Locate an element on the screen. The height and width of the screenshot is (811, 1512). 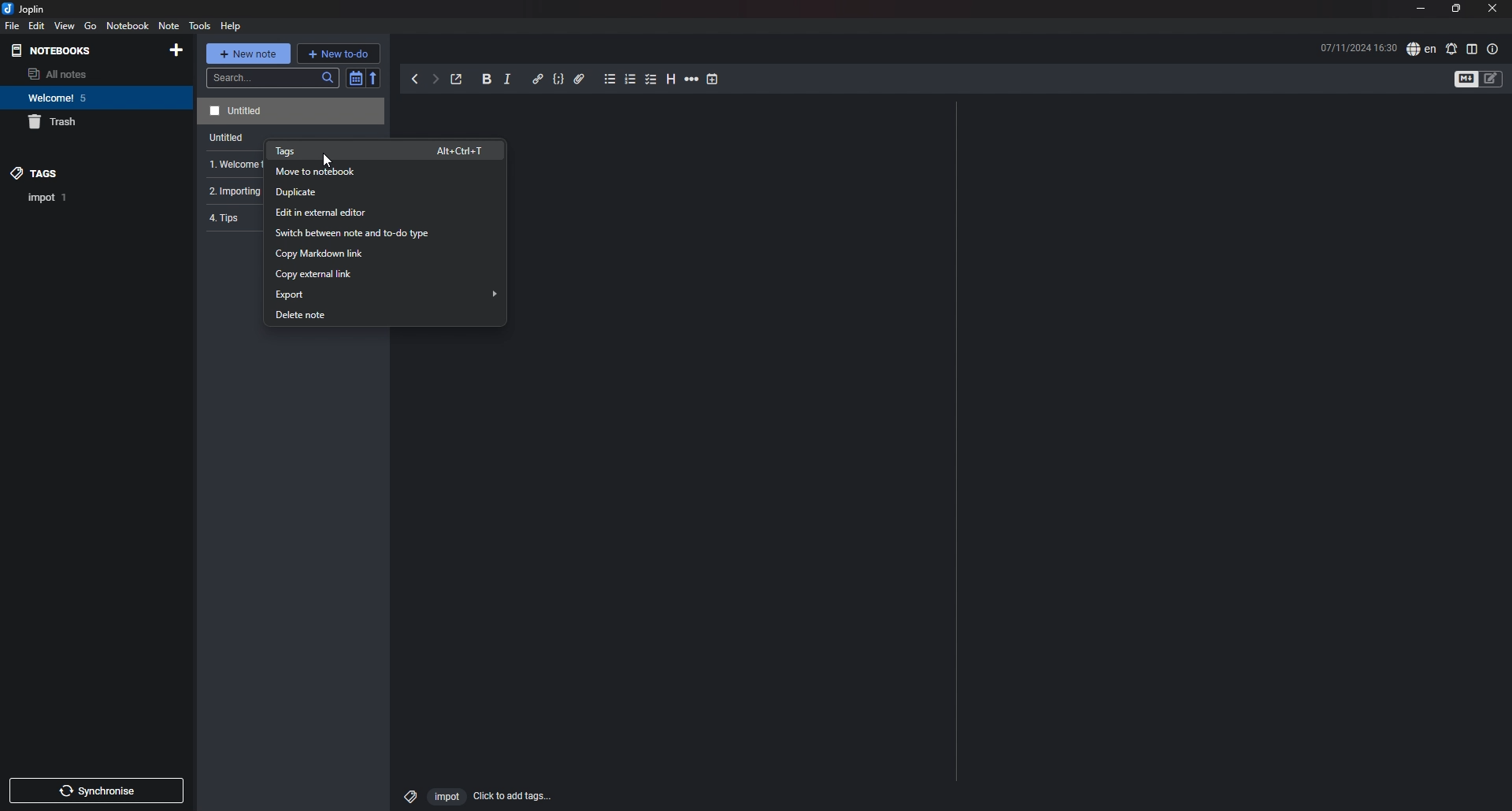
impot is located at coordinates (444, 796).